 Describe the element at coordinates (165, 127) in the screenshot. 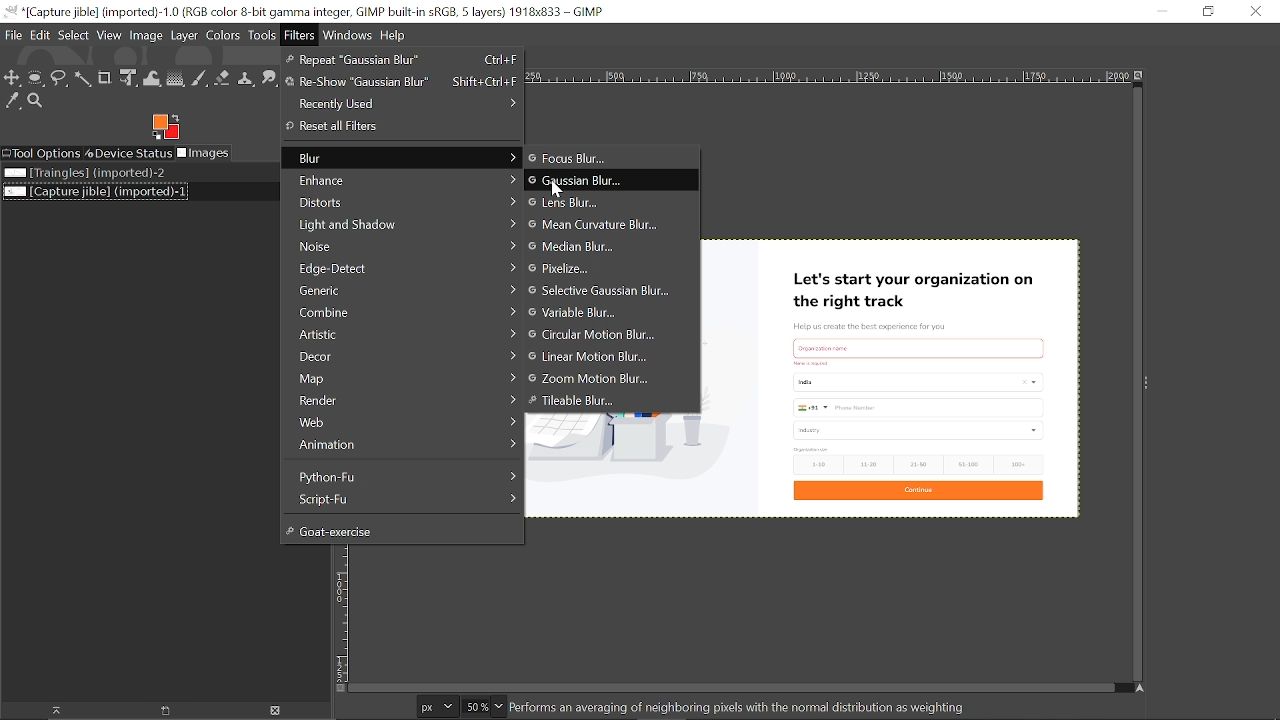

I see `Foreground color` at that location.